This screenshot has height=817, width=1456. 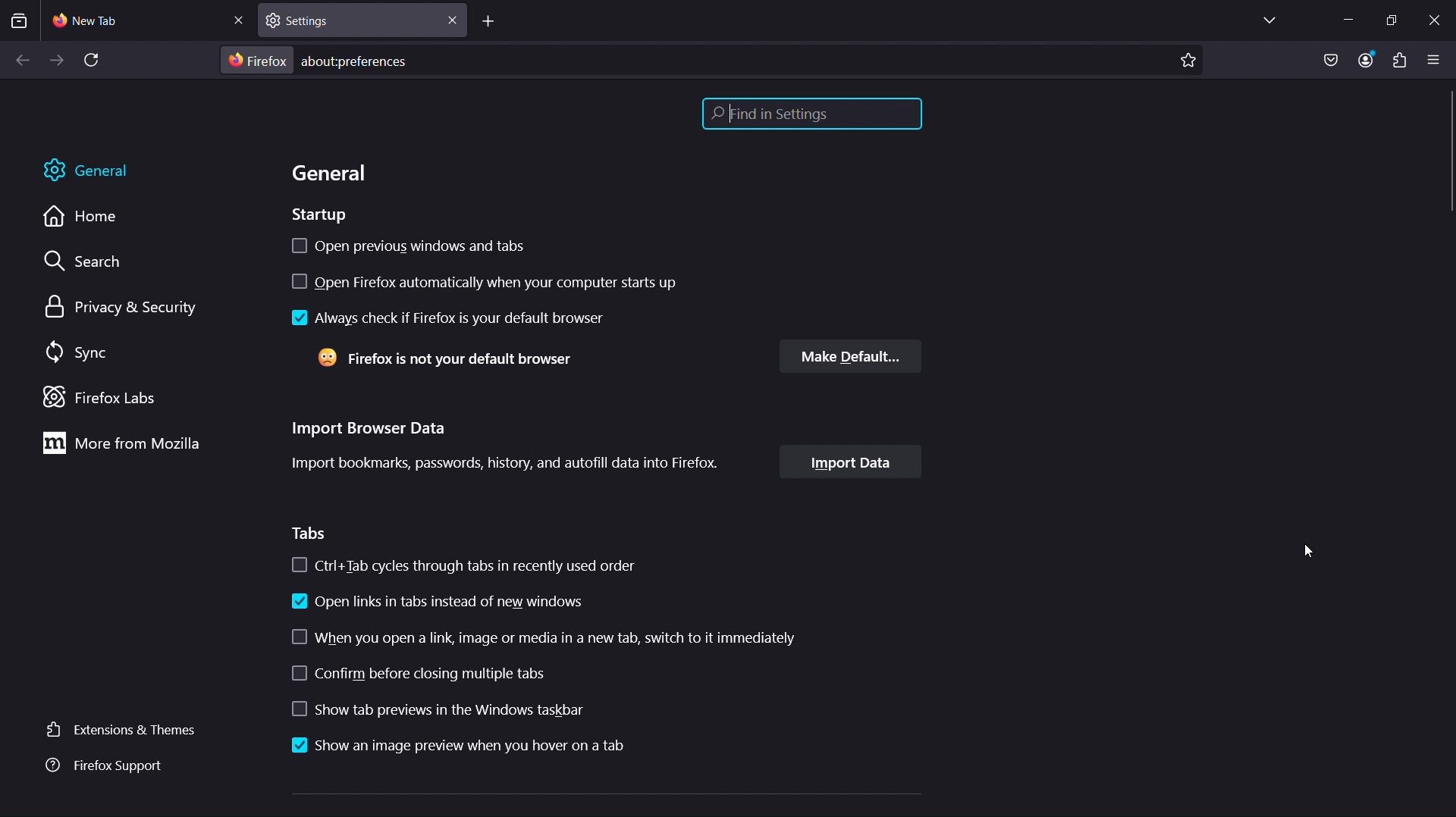 What do you see at coordinates (450, 321) in the screenshot?
I see `Always check if Firefox is your default browser` at bounding box center [450, 321].